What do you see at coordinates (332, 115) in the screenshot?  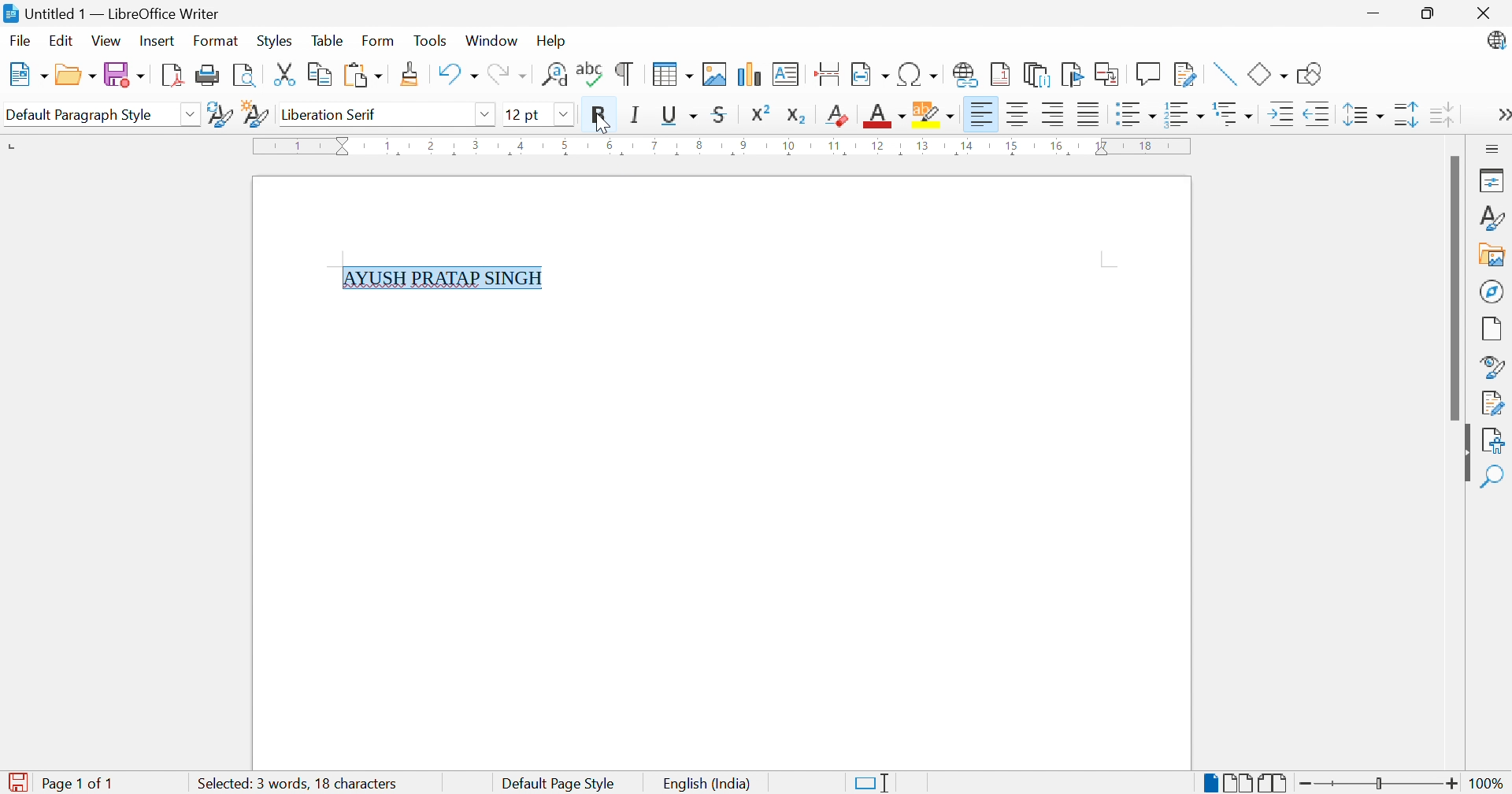 I see `Liberation Serif` at bounding box center [332, 115].